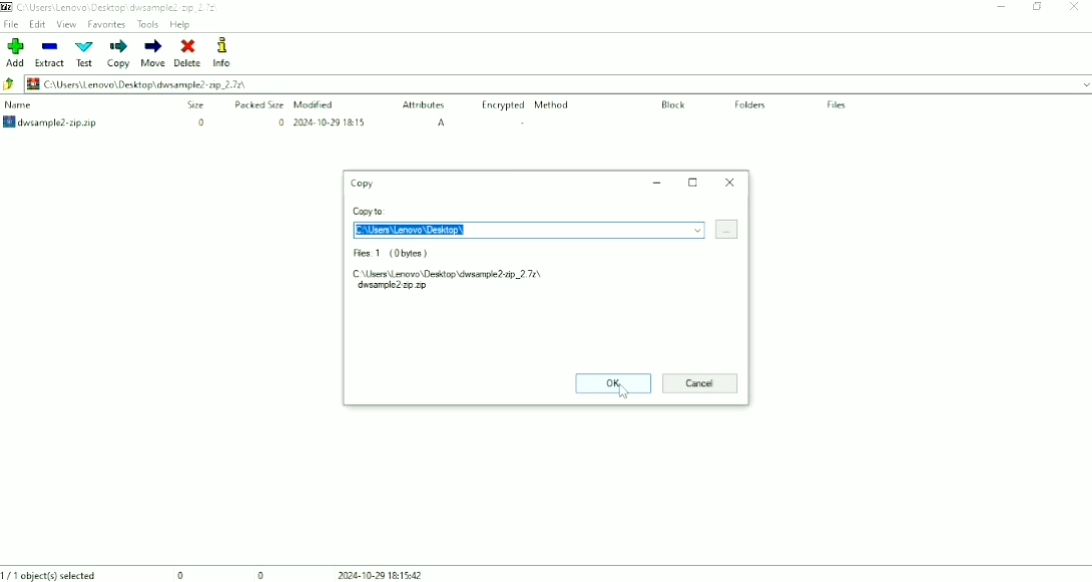  What do you see at coordinates (7, 7) in the screenshot?
I see `Logo` at bounding box center [7, 7].